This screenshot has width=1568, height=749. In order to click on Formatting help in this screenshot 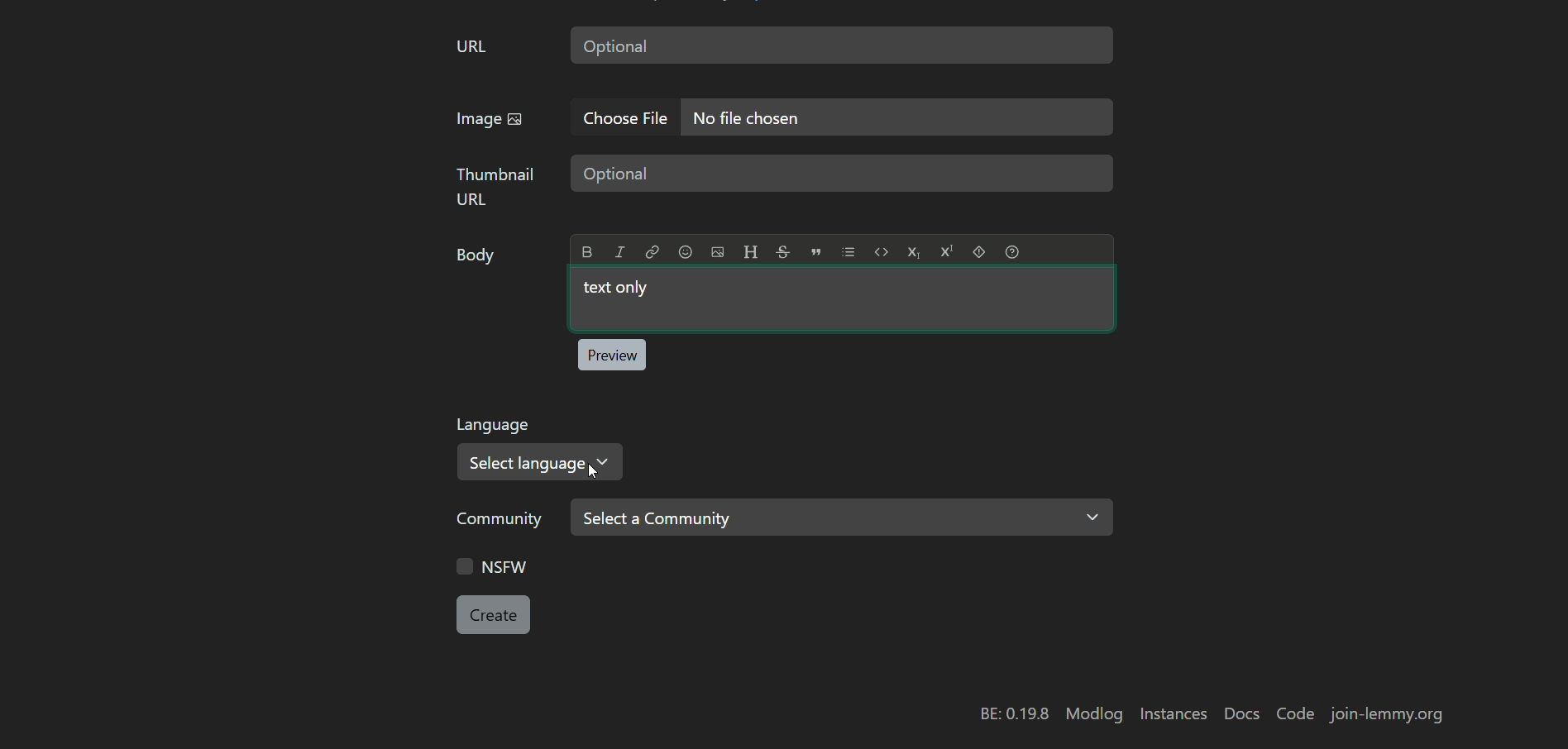, I will do `click(1012, 251)`.